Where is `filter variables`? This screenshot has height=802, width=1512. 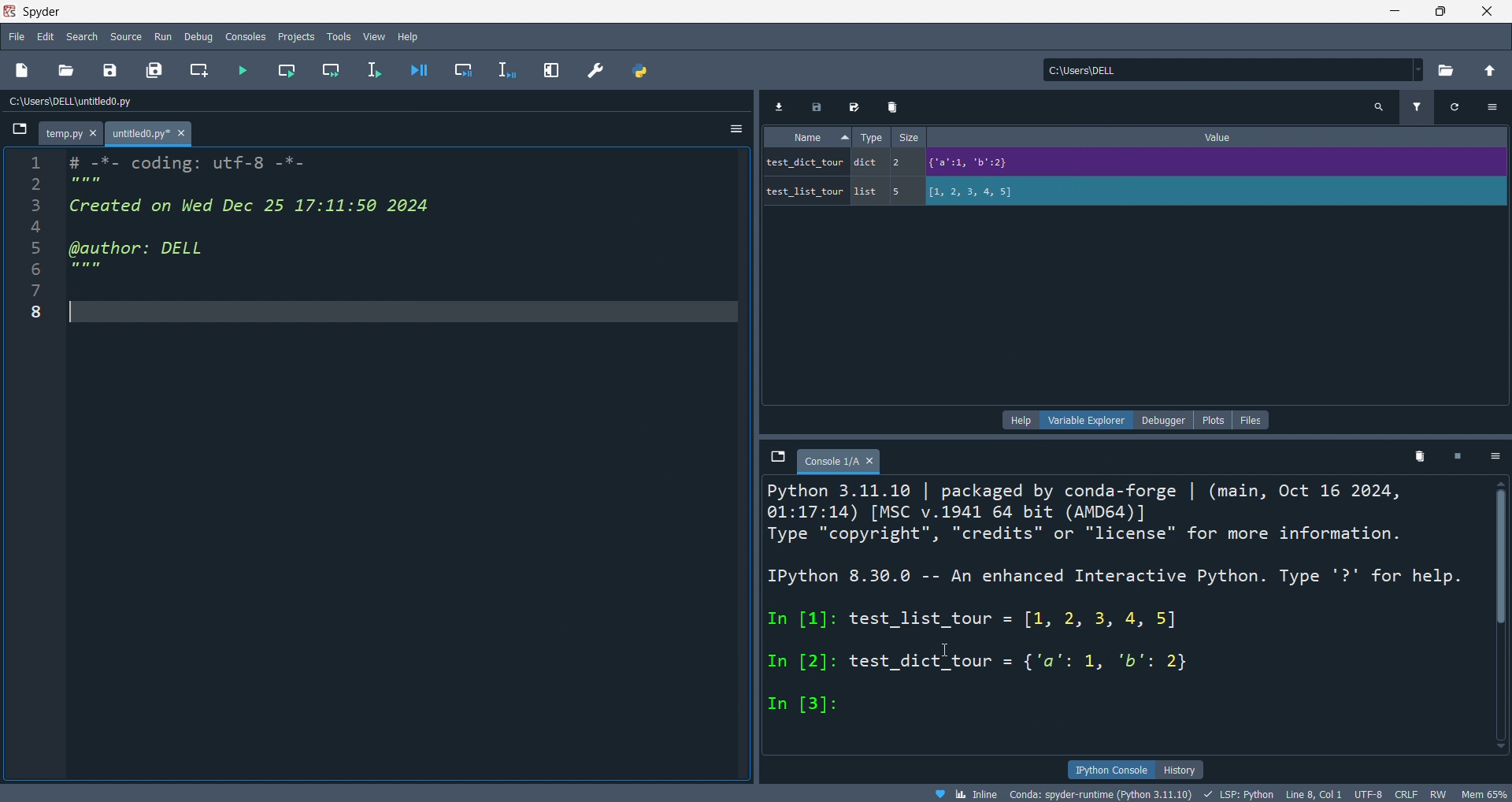
filter variables is located at coordinates (1417, 109).